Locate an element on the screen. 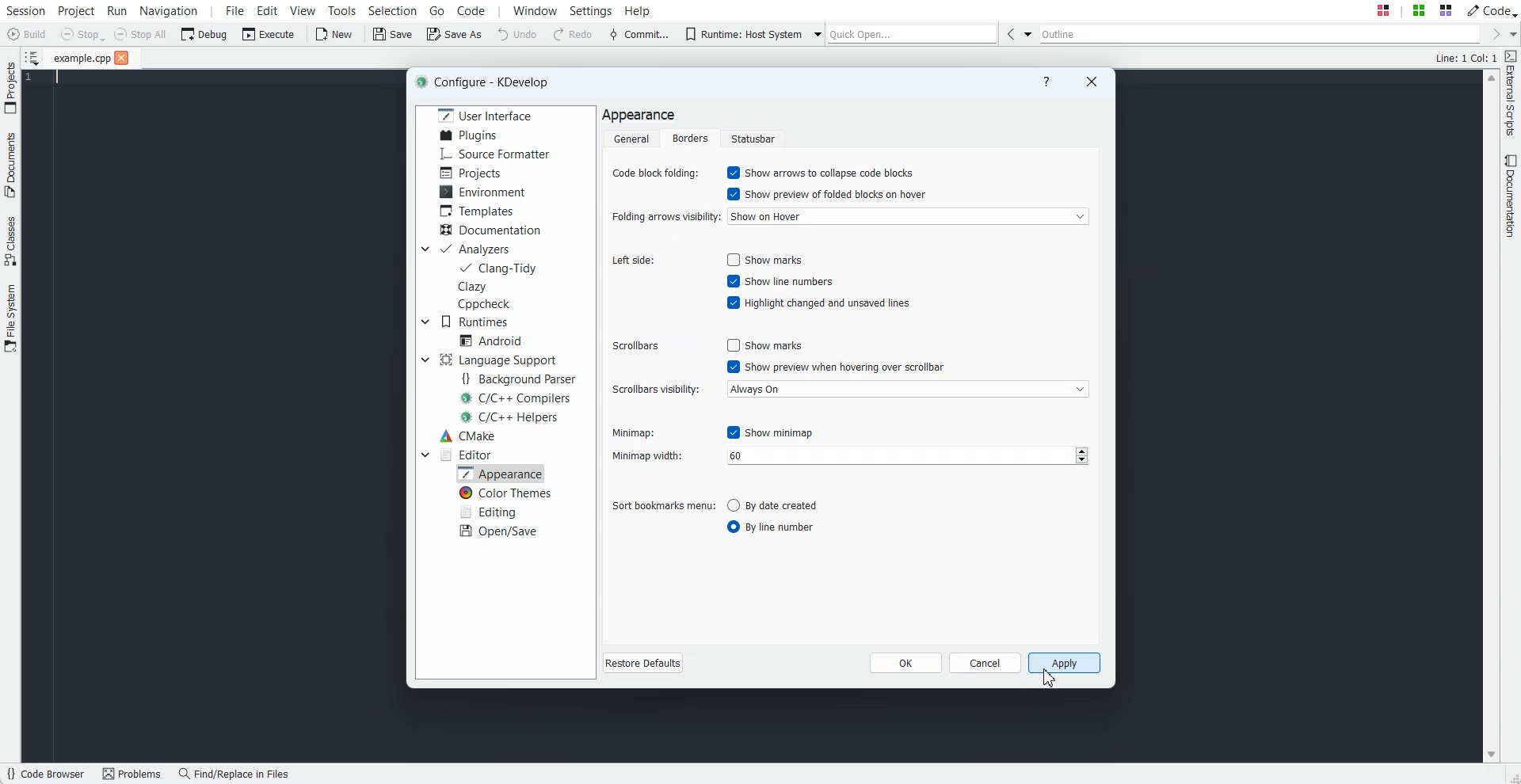  Apply is located at coordinates (1066, 663).